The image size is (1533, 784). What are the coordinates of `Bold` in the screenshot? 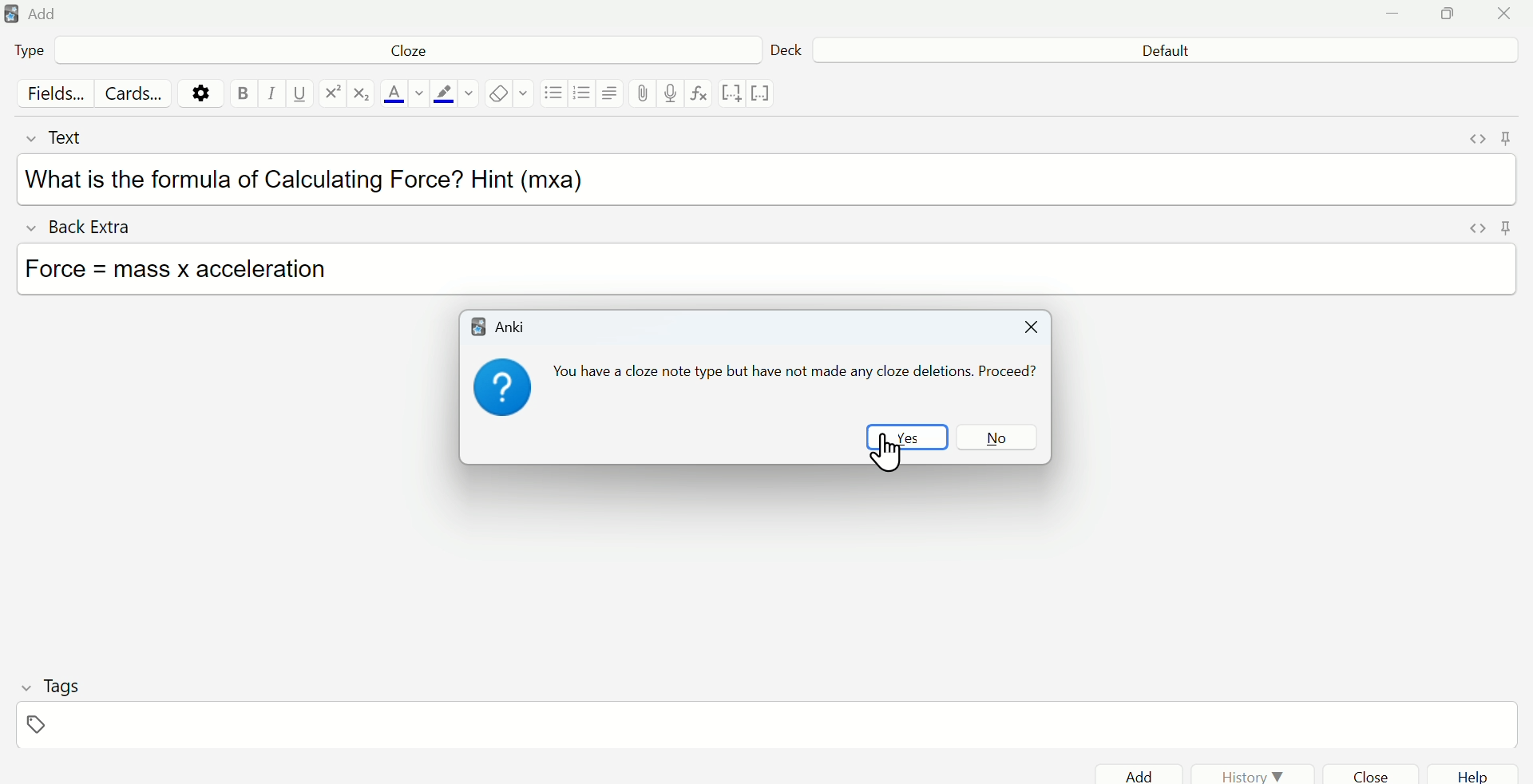 It's located at (243, 93).